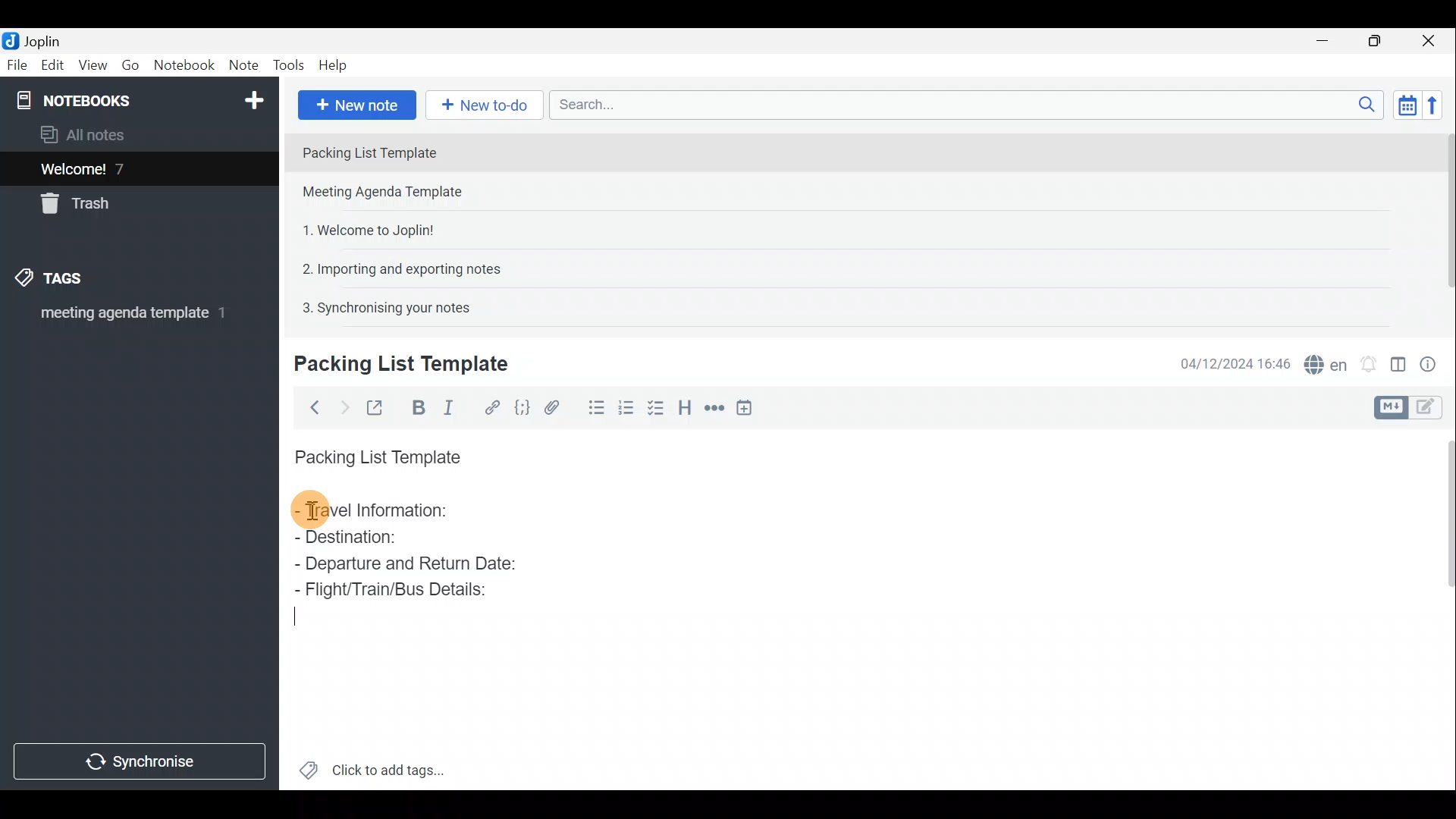  I want to click on Heading, so click(686, 406).